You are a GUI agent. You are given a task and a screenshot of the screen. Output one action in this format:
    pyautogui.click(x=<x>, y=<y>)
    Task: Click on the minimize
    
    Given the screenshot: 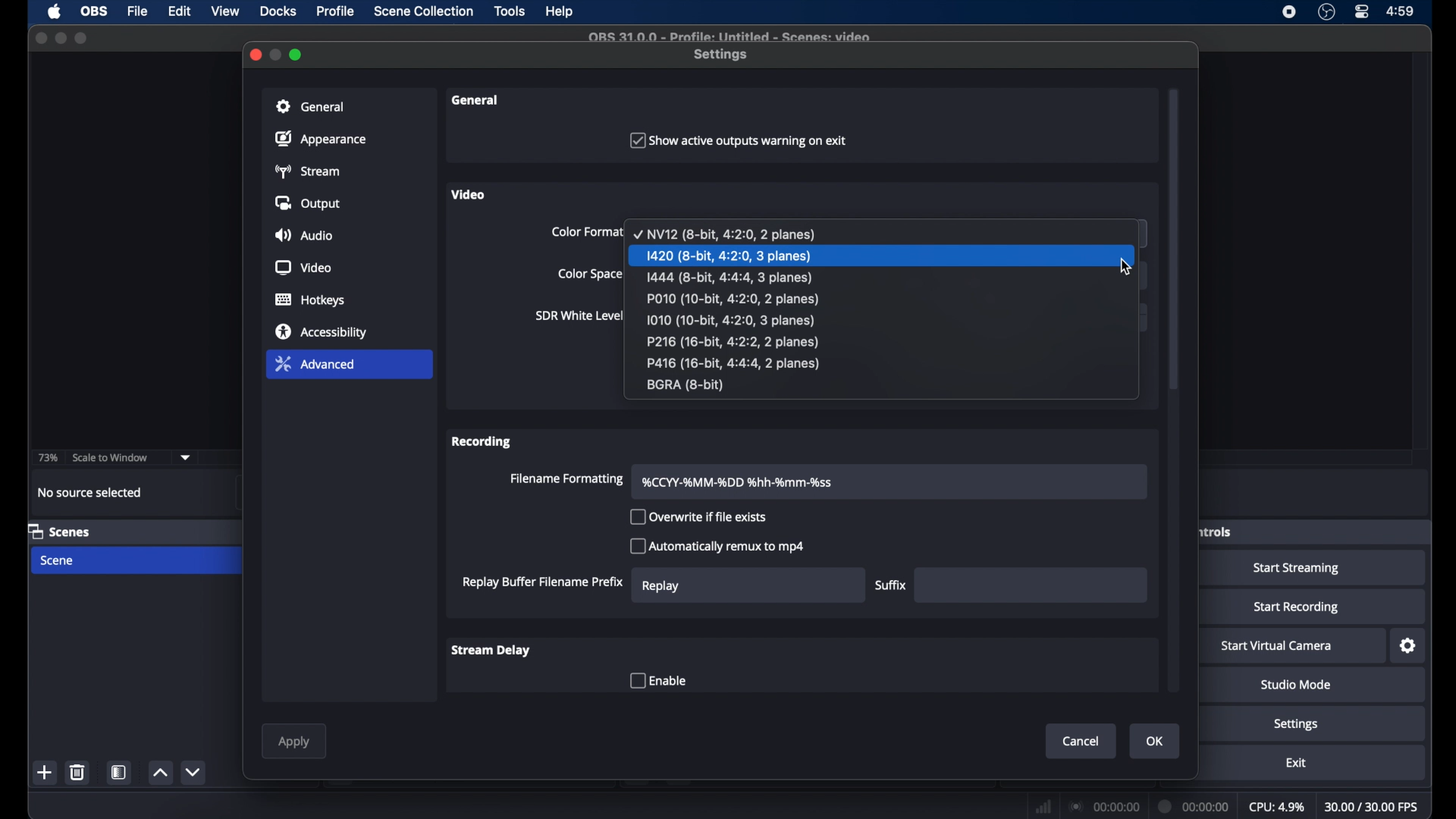 What is the action you would take?
    pyautogui.click(x=277, y=54)
    